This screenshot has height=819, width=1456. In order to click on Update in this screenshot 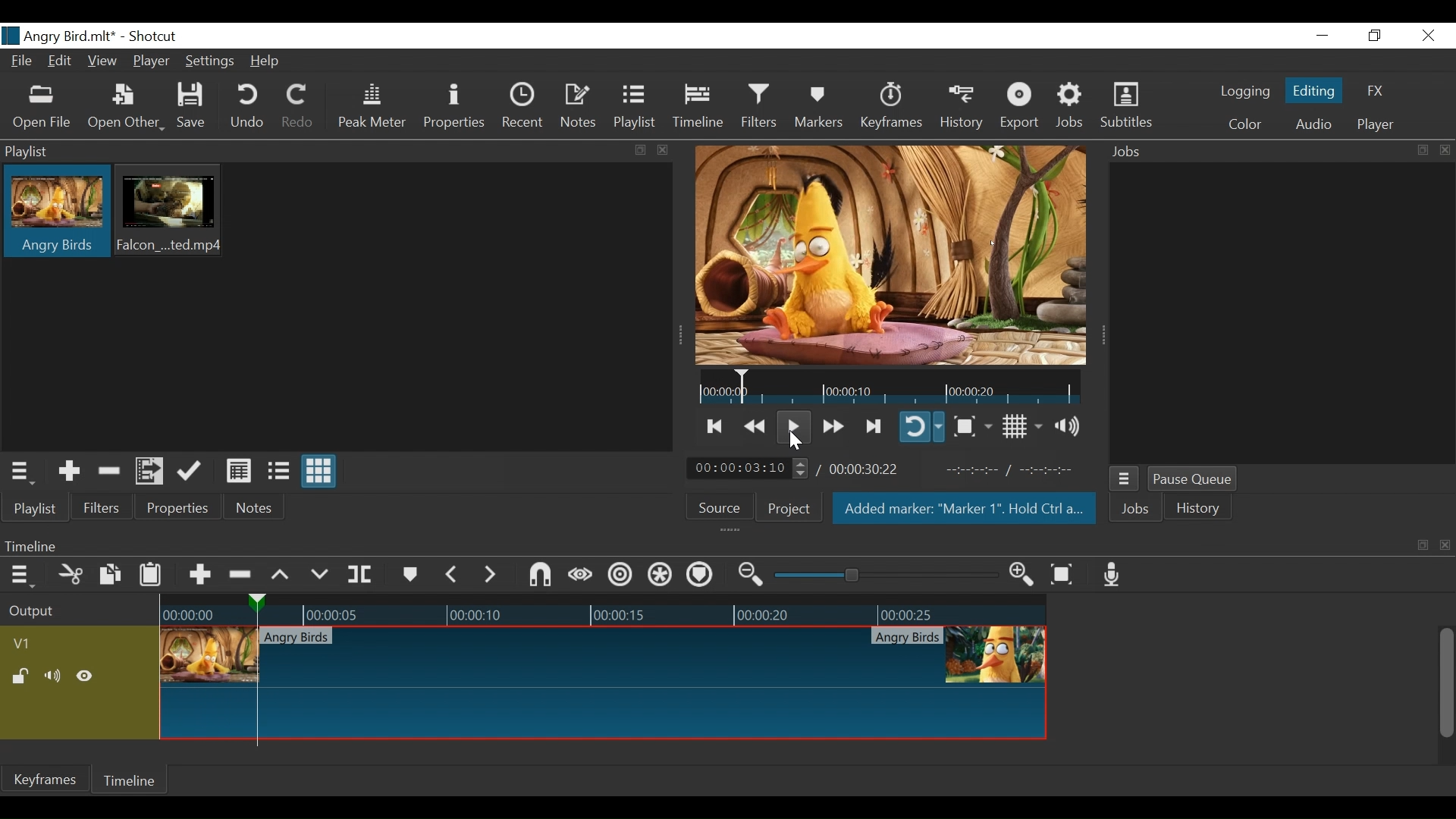, I will do `click(190, 471)`.